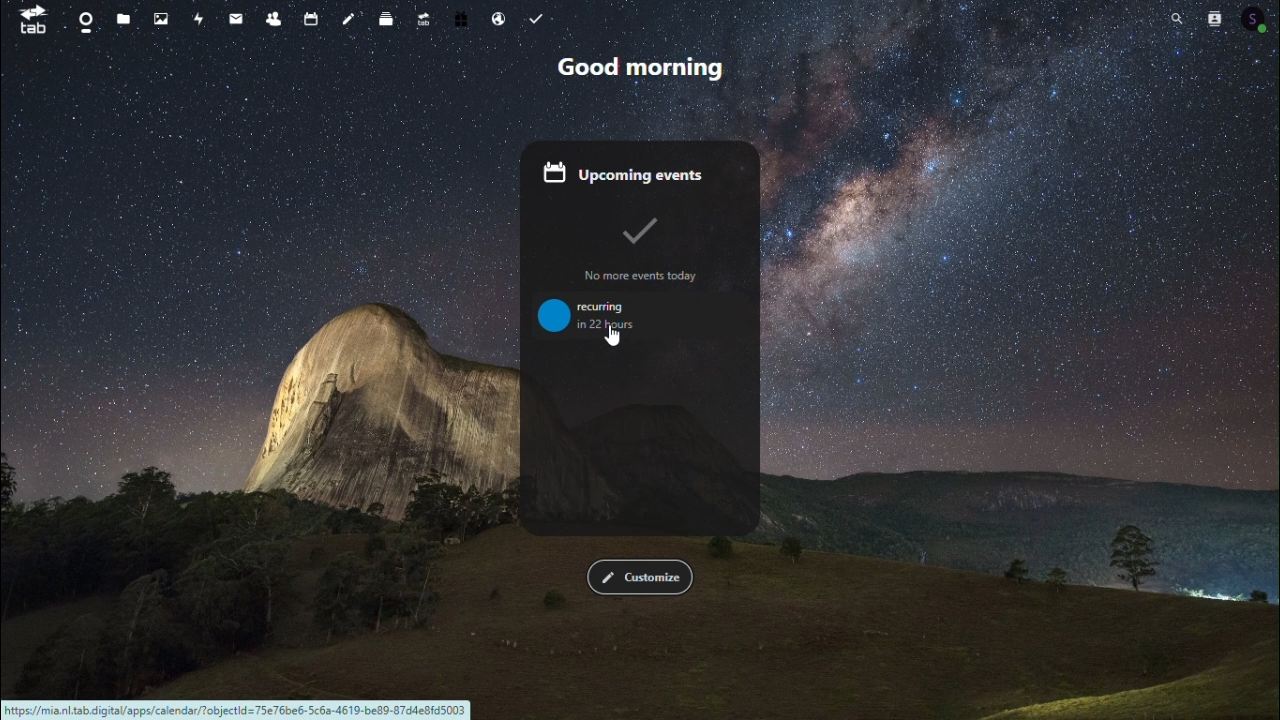  Describe the element at coordinates (121, 19) in the screenshot. I see `Files` at that location.